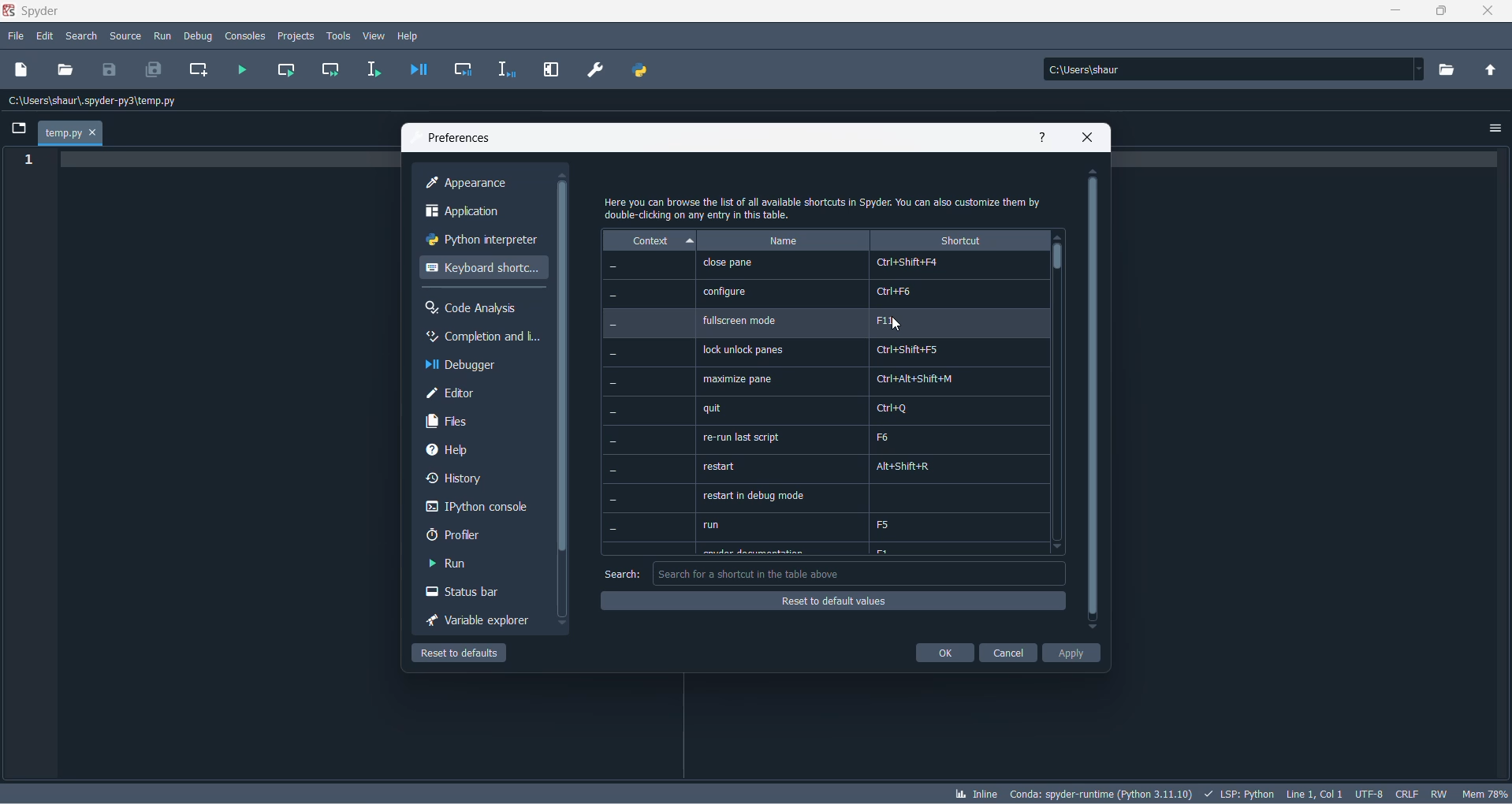 This screenshot has width=1512, height=804. Describe the element at coordinates (896, 408) in the screenshot. I see `arl+Q` at that location.